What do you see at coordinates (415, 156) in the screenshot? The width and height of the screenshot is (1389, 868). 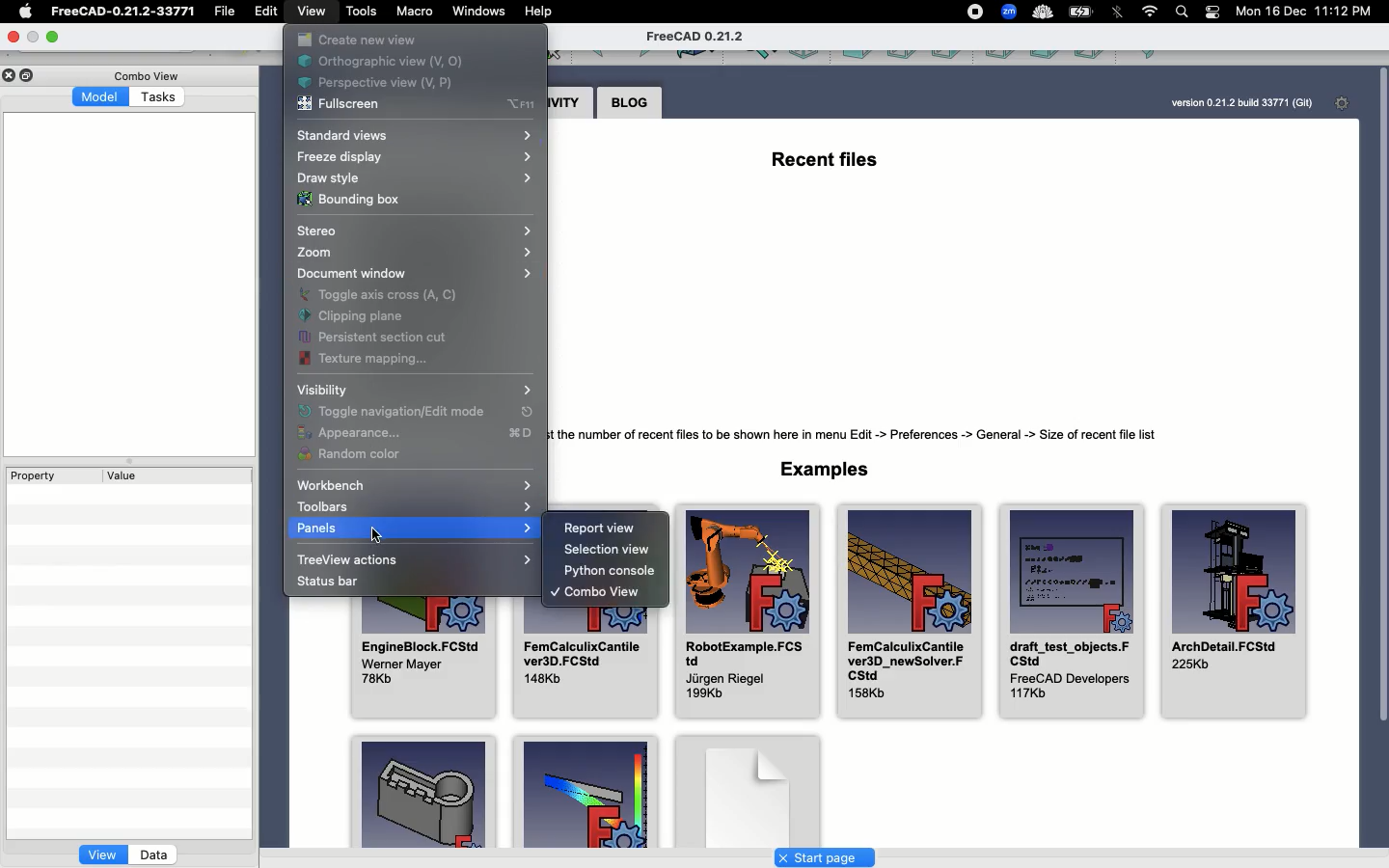 I see `Freeze display` at bounding box center [415, 156].